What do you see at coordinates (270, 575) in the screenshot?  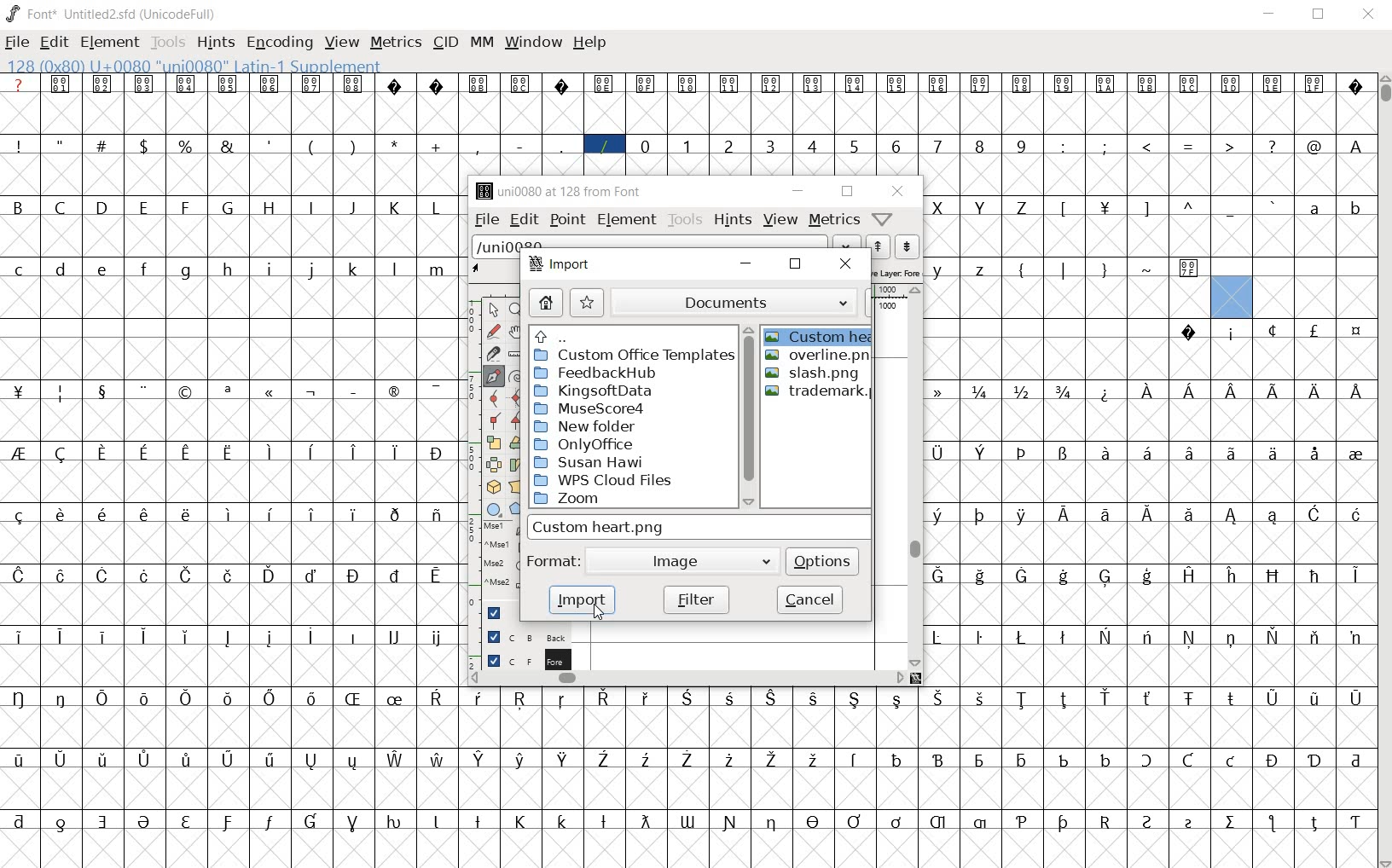 I see `glyph` at bounding box center [270, 575].